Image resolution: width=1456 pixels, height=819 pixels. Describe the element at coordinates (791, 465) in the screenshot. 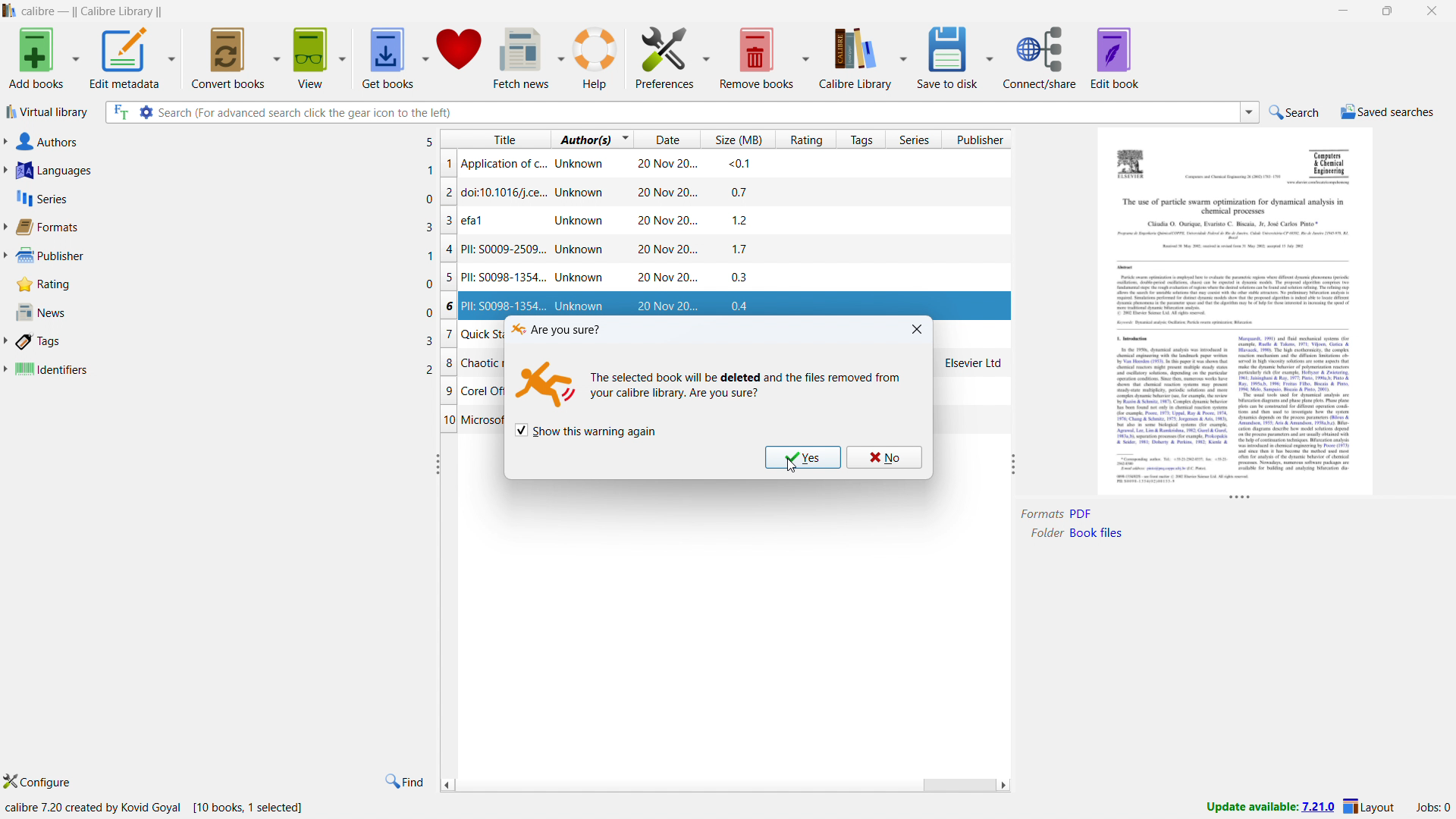

I see `Cursor` at that location.